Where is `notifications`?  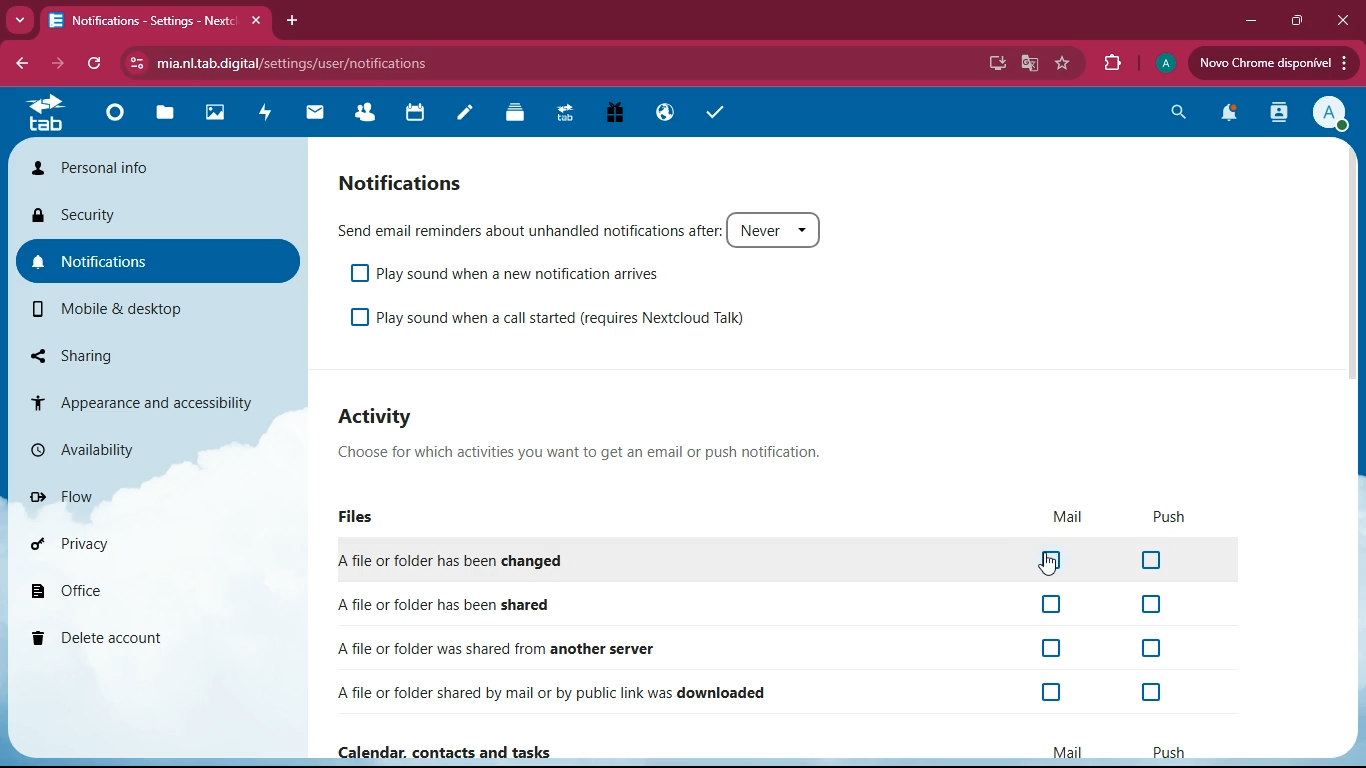 notifications is located at coordinates (429, 183).